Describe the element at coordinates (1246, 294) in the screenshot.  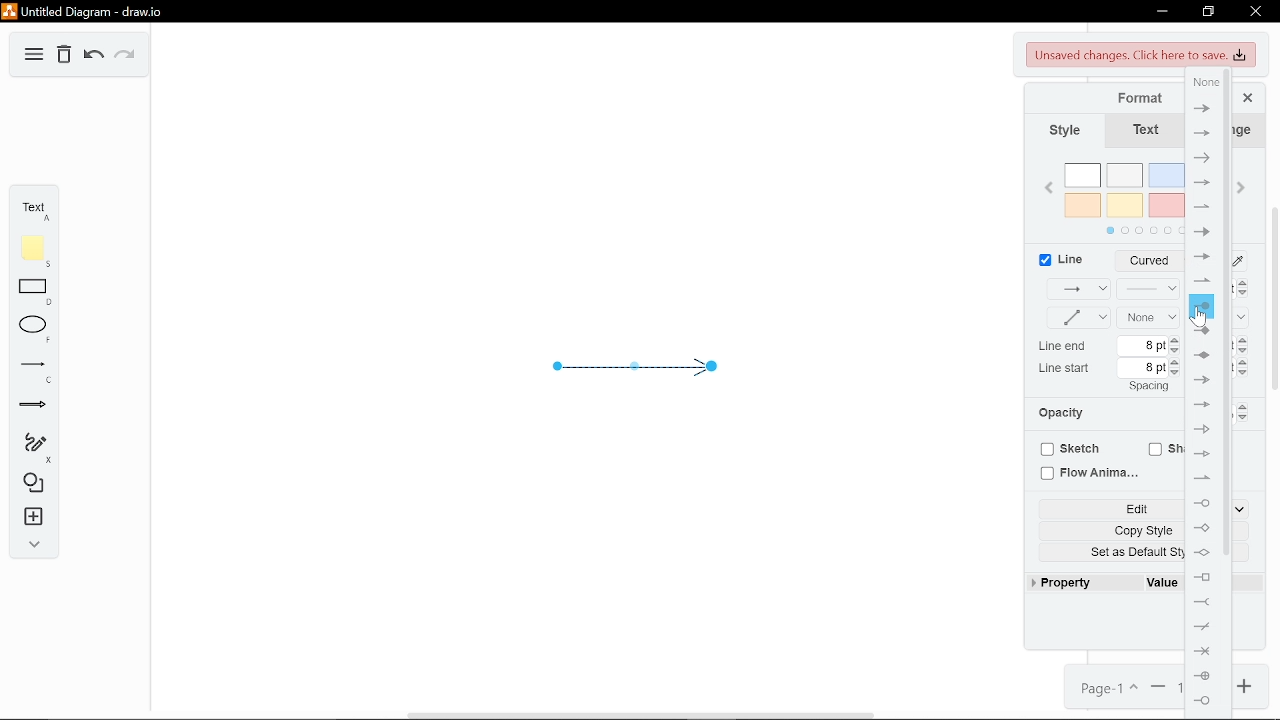
I see `Decrease linewidth` at that location.